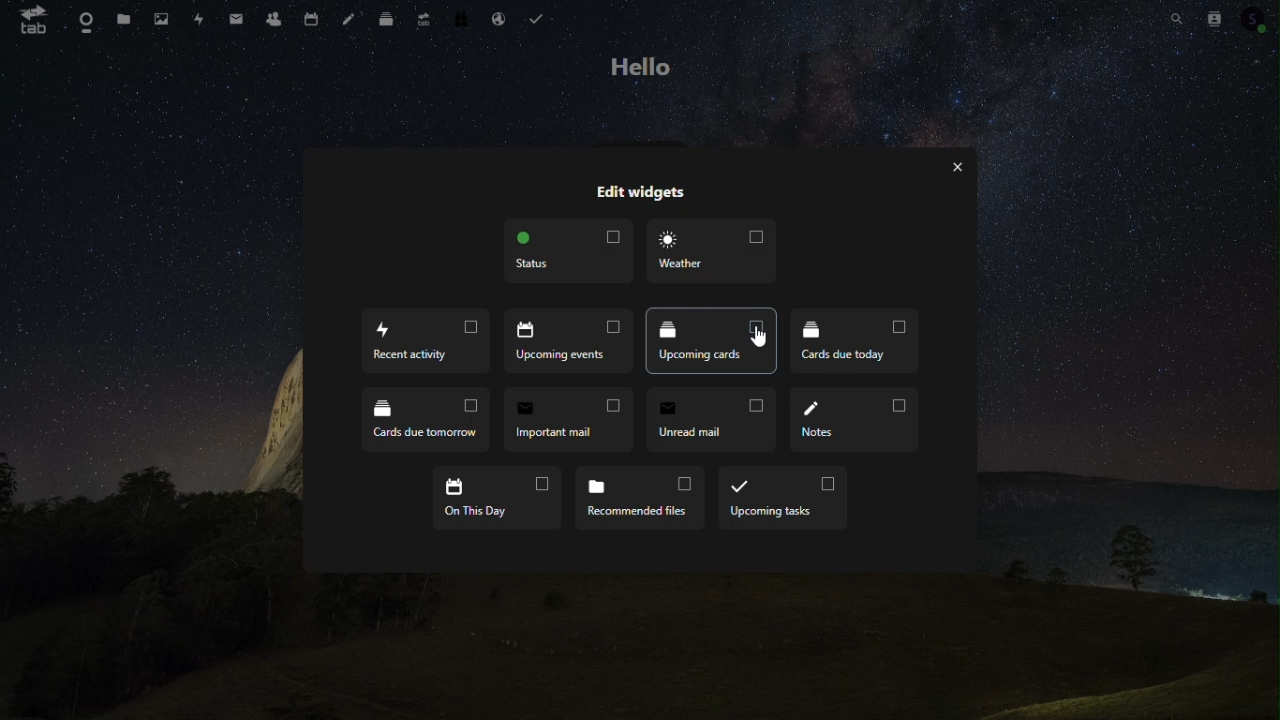 The height and width of the screenshot is (720, 1280). I want to click on tab, so click(30, 20).